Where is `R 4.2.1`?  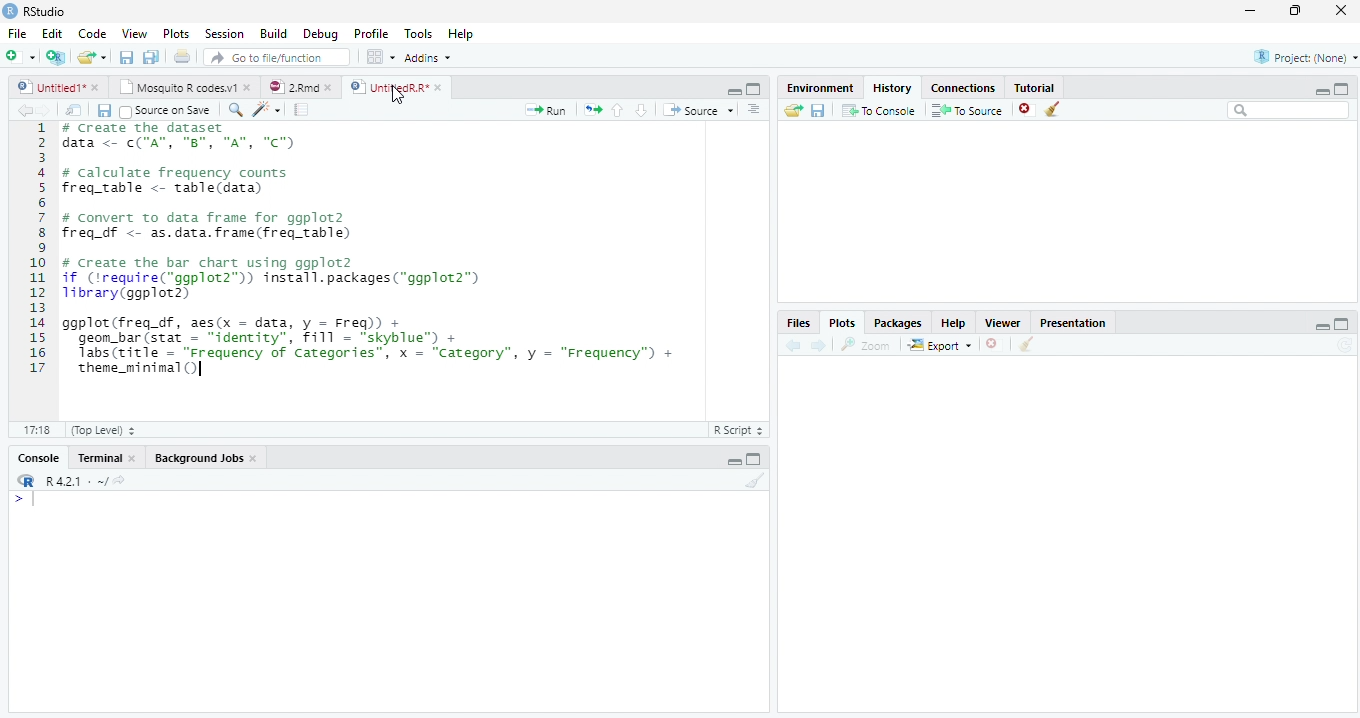 R 4.2.1 is located at coordinates (70, 482).